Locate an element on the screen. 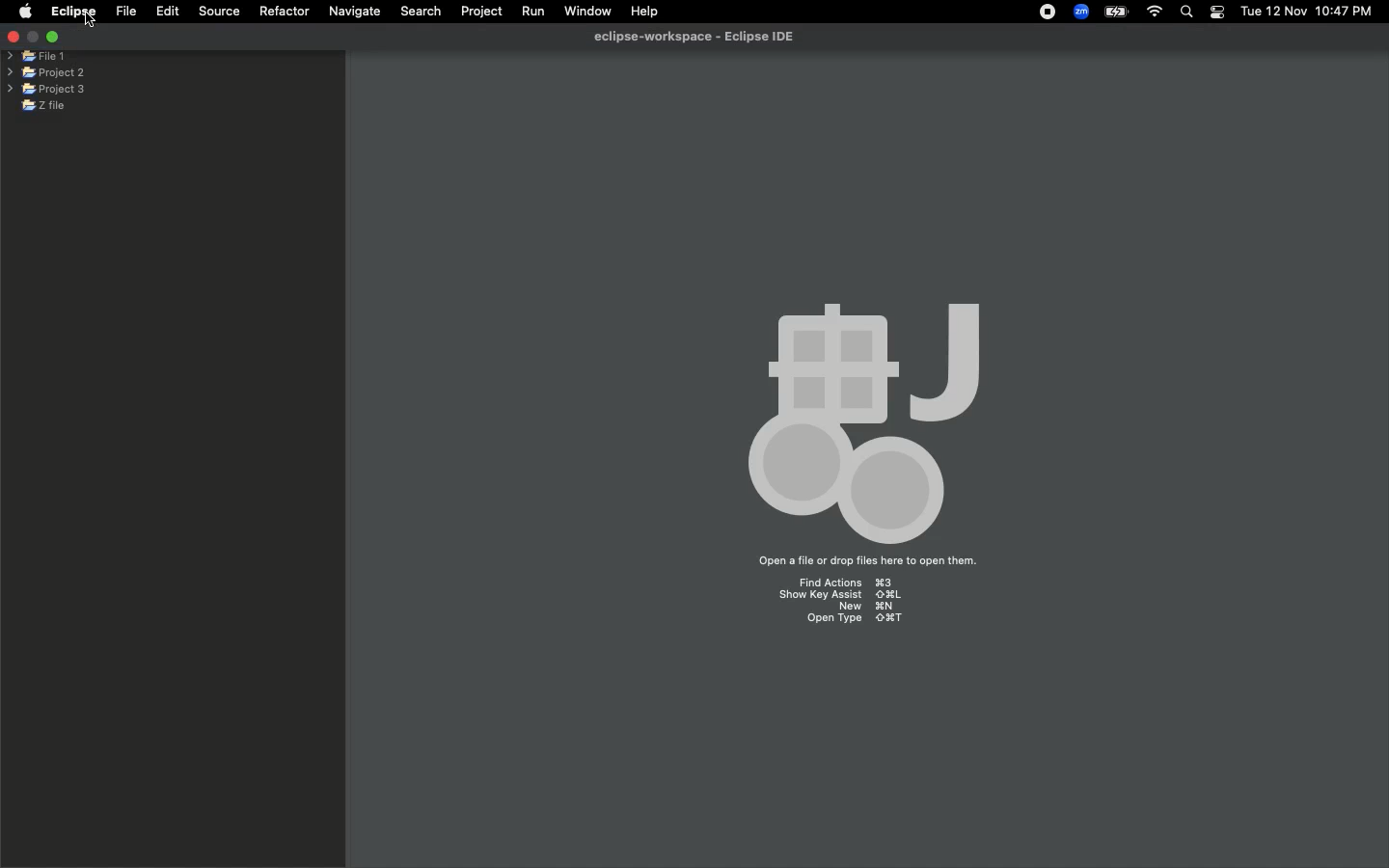 The image size is (1389, 868). Source is located at coordinates (216, 12).